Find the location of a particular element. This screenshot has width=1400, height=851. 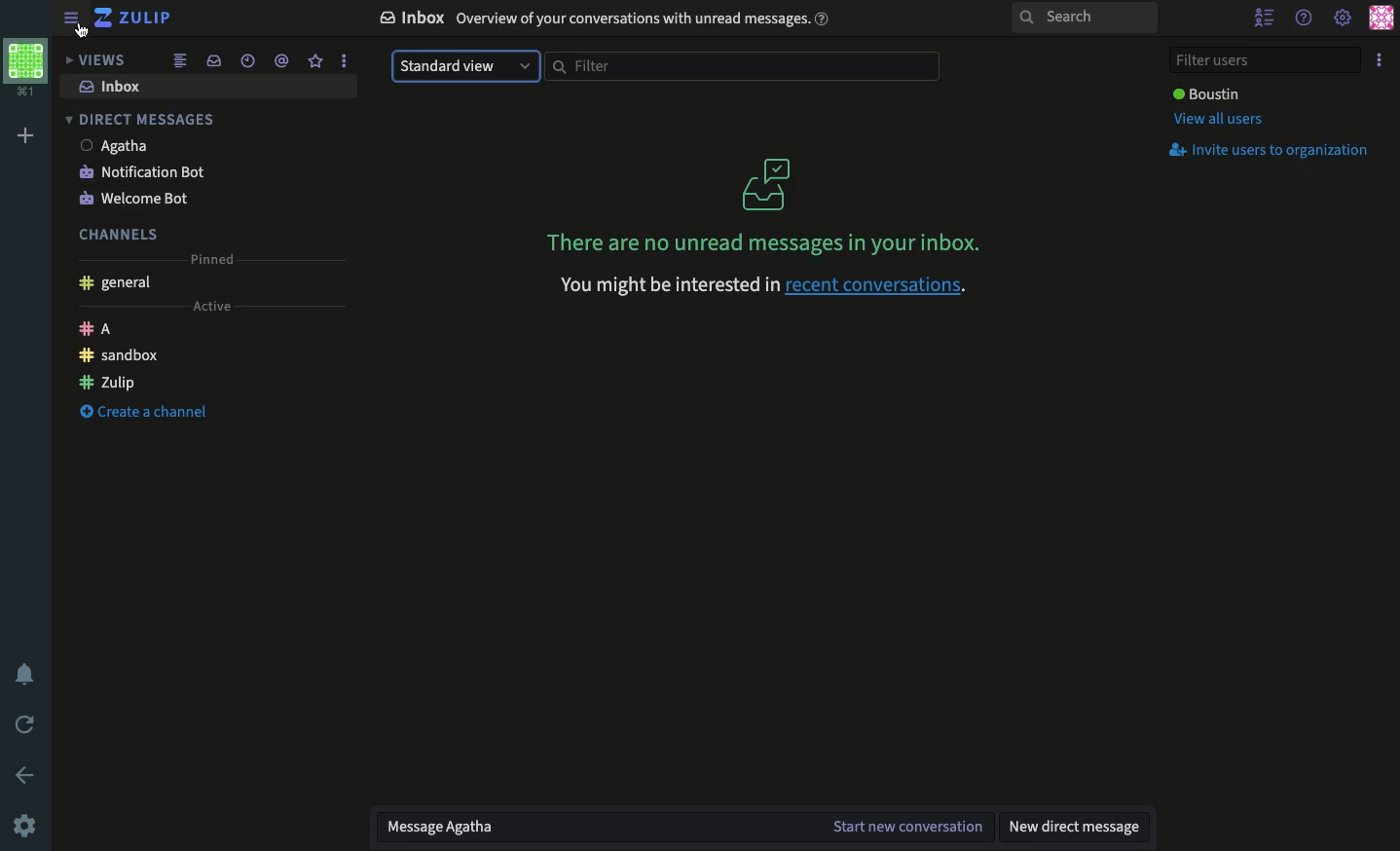

Create a channel is located at coordinates (147, 411).